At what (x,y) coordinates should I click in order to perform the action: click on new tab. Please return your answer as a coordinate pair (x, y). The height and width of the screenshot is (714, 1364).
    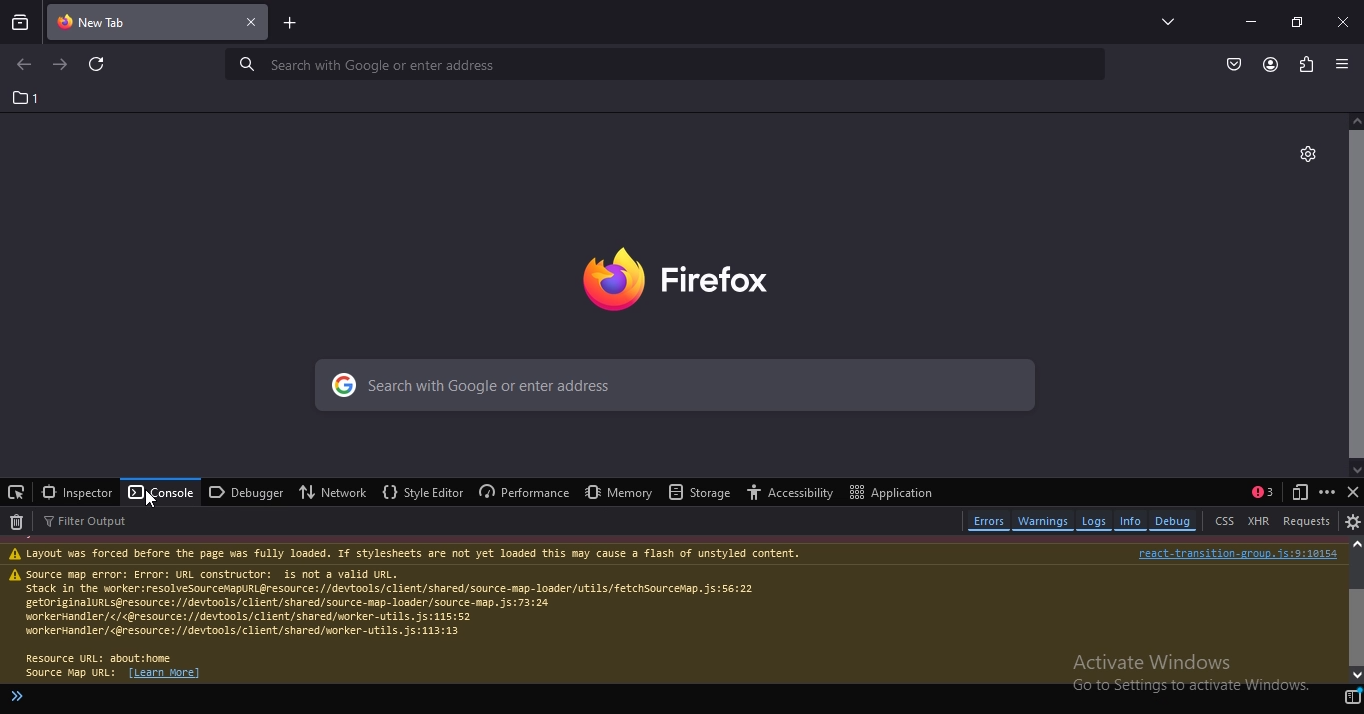
    Looking at the image, I should click on (290, 22).